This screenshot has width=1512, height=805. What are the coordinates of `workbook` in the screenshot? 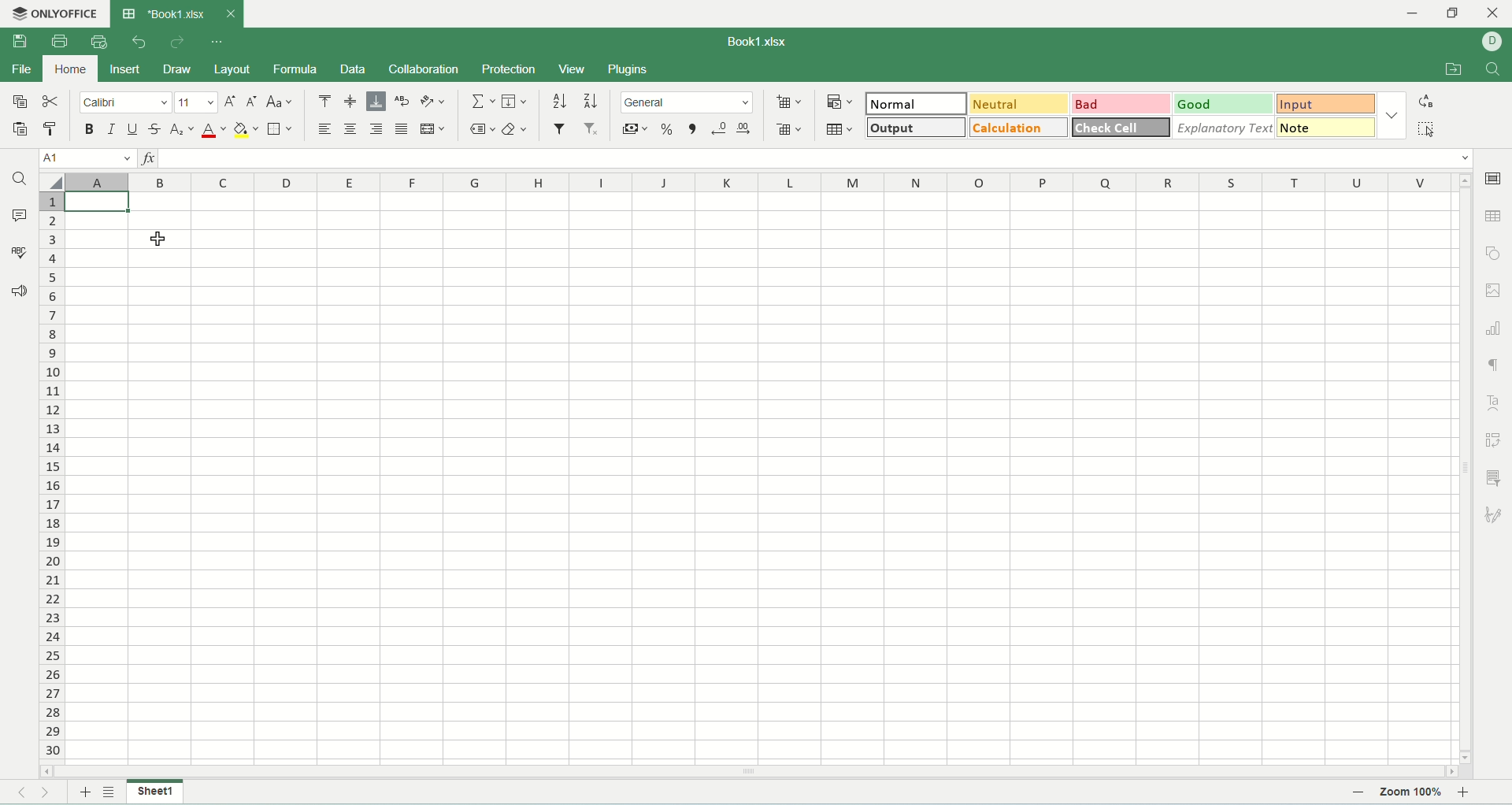 It's located at (760, 478).